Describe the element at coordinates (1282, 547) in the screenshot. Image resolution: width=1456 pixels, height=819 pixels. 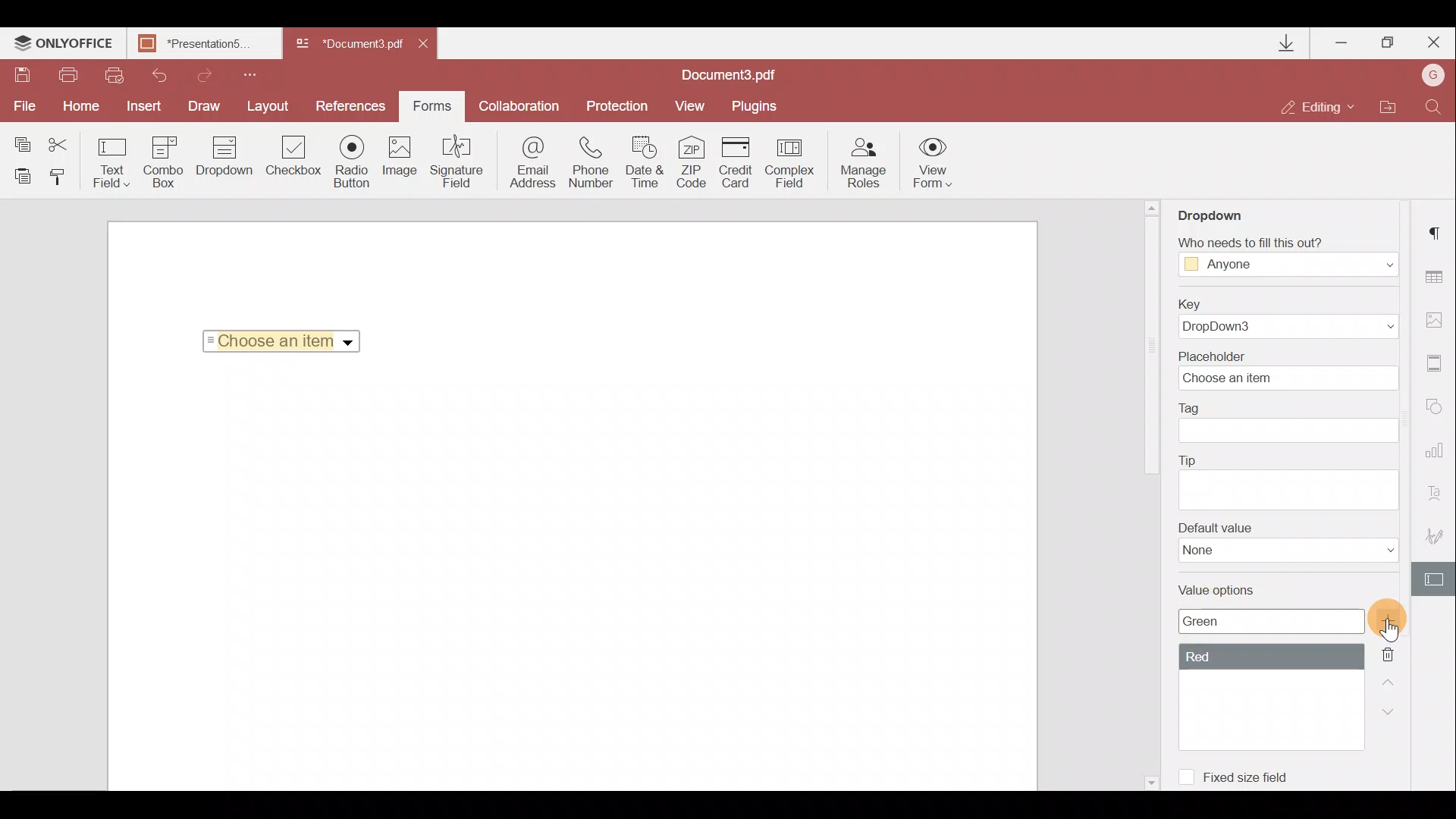
I see `Default value` at that location.